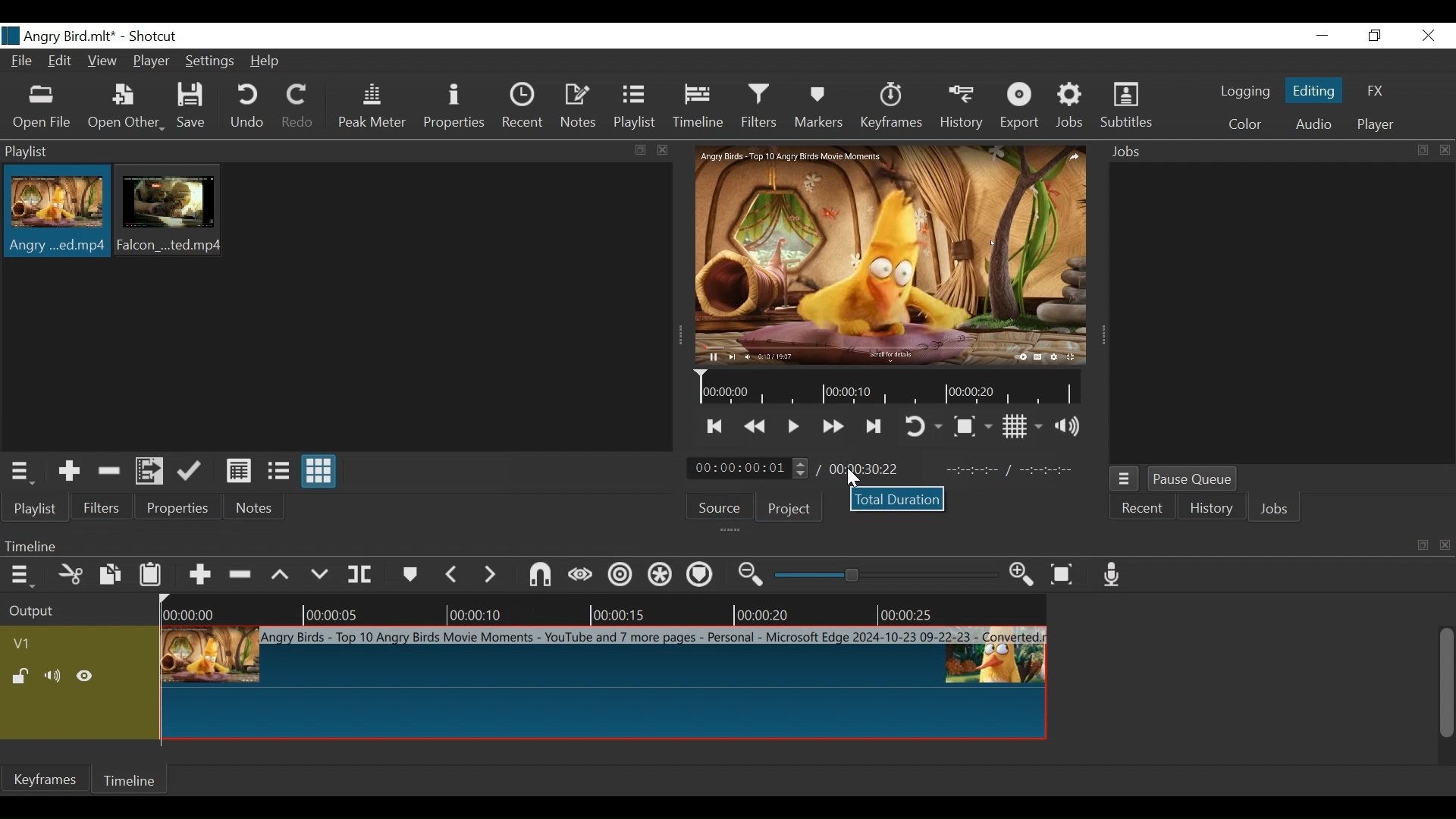 The width and height of the screenshot is (1456, 819). I want to click on Shotcut, so click(157, 36).